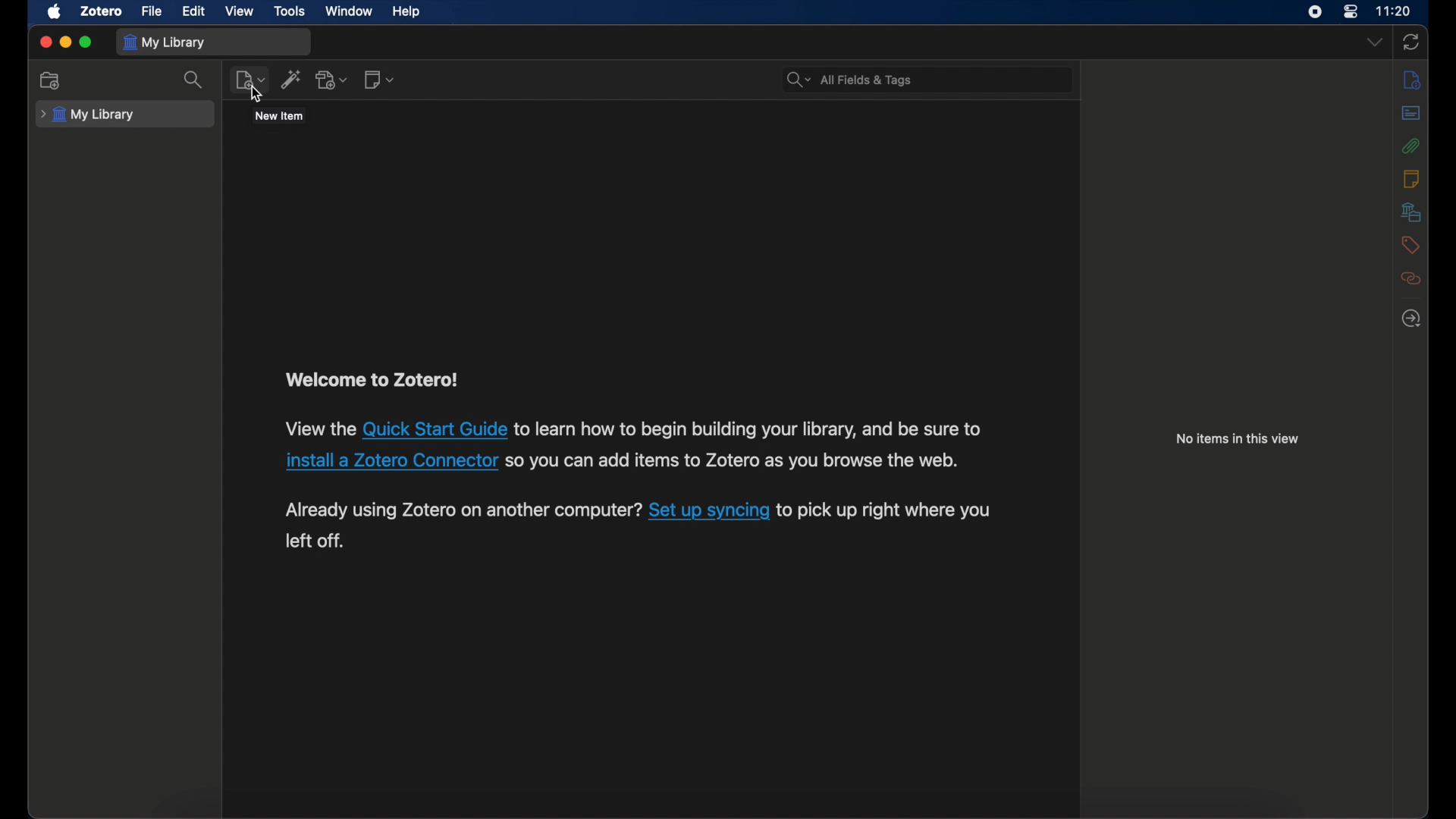 This screenshot has width=1456, height=819. I want to click on info, so click(1409, 79).